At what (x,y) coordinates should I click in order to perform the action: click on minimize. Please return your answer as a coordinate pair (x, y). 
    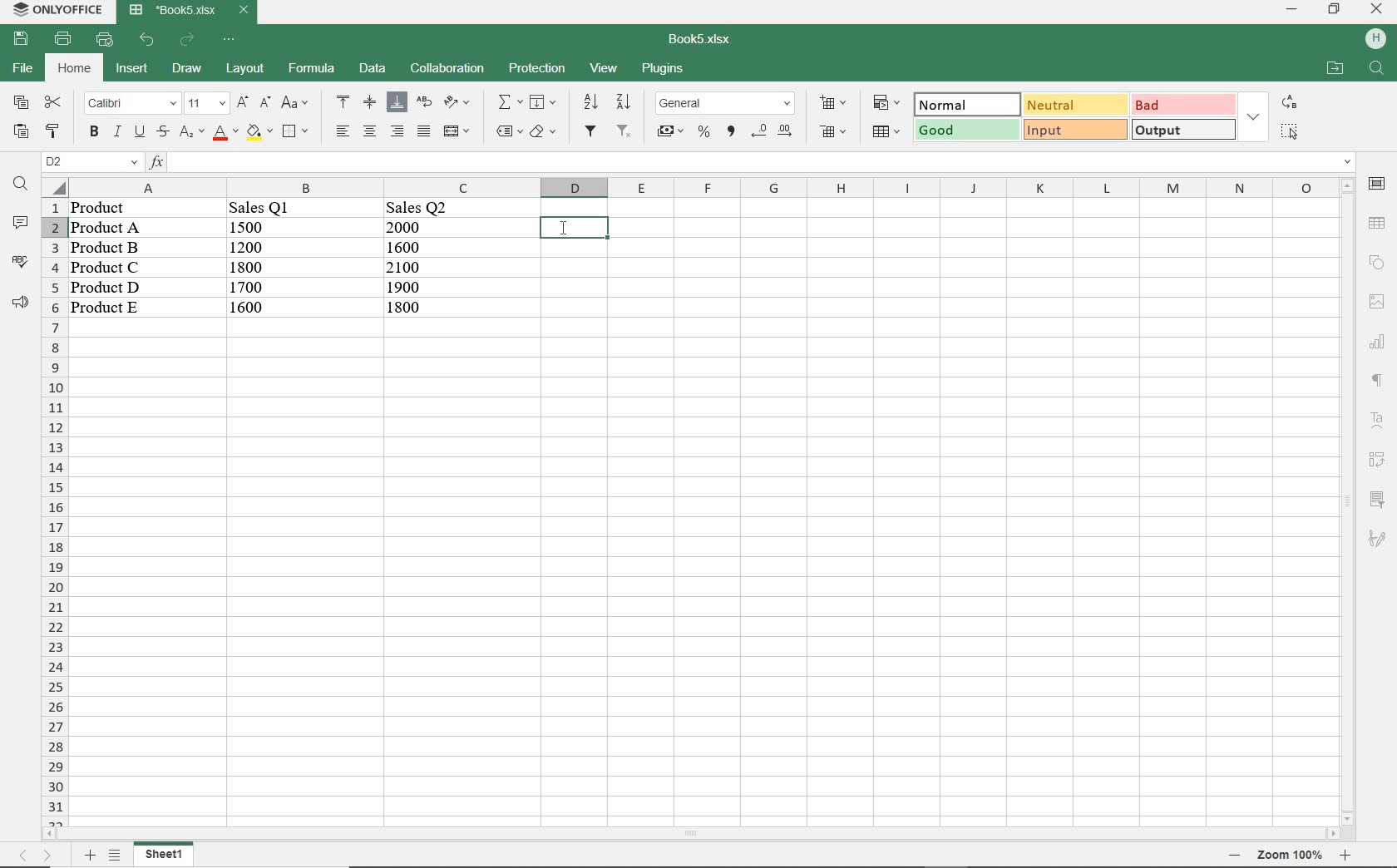
    Looking at the image, I should click on (1292, 11).